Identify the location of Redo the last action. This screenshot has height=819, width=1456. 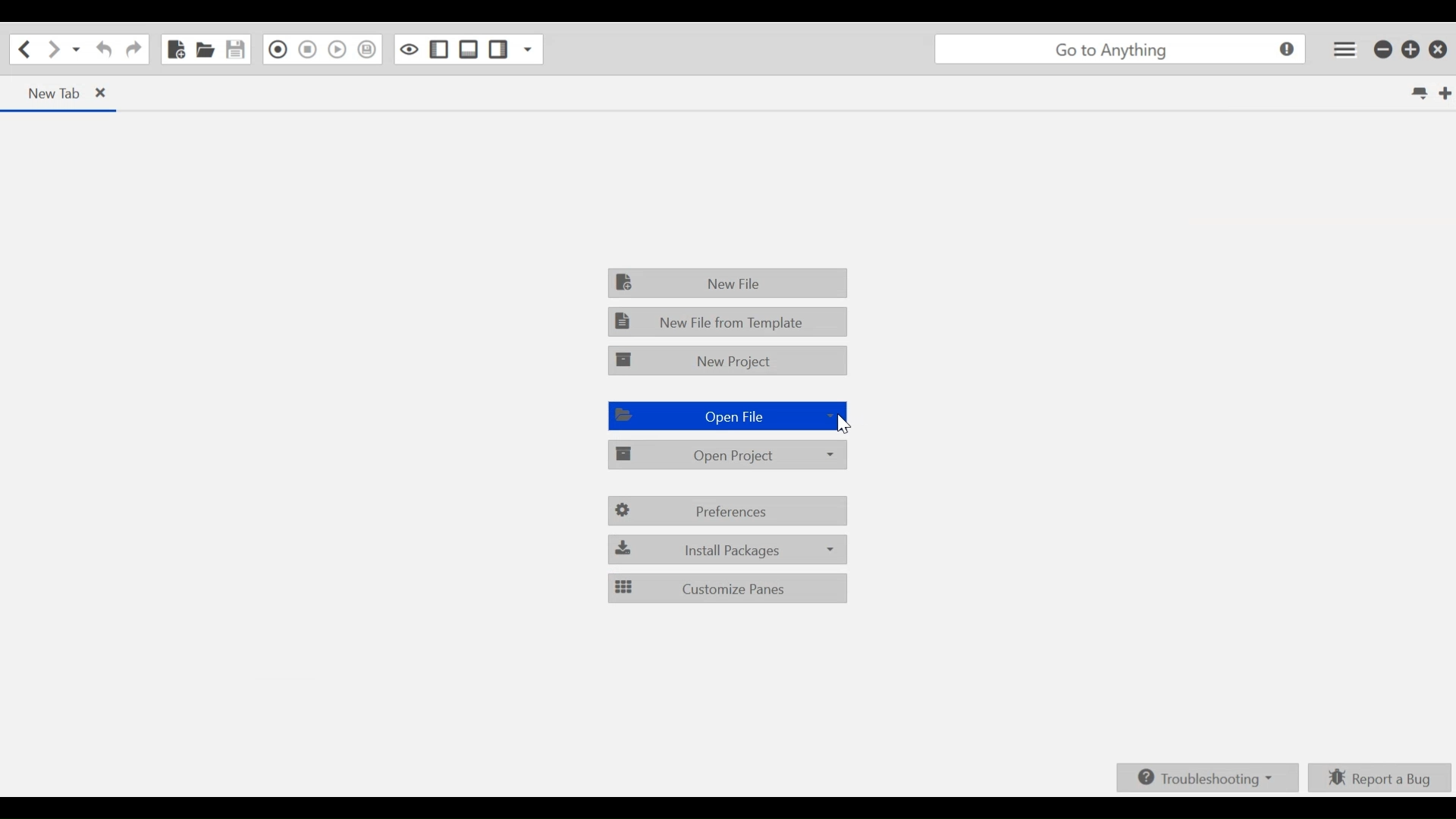
(104, 50).